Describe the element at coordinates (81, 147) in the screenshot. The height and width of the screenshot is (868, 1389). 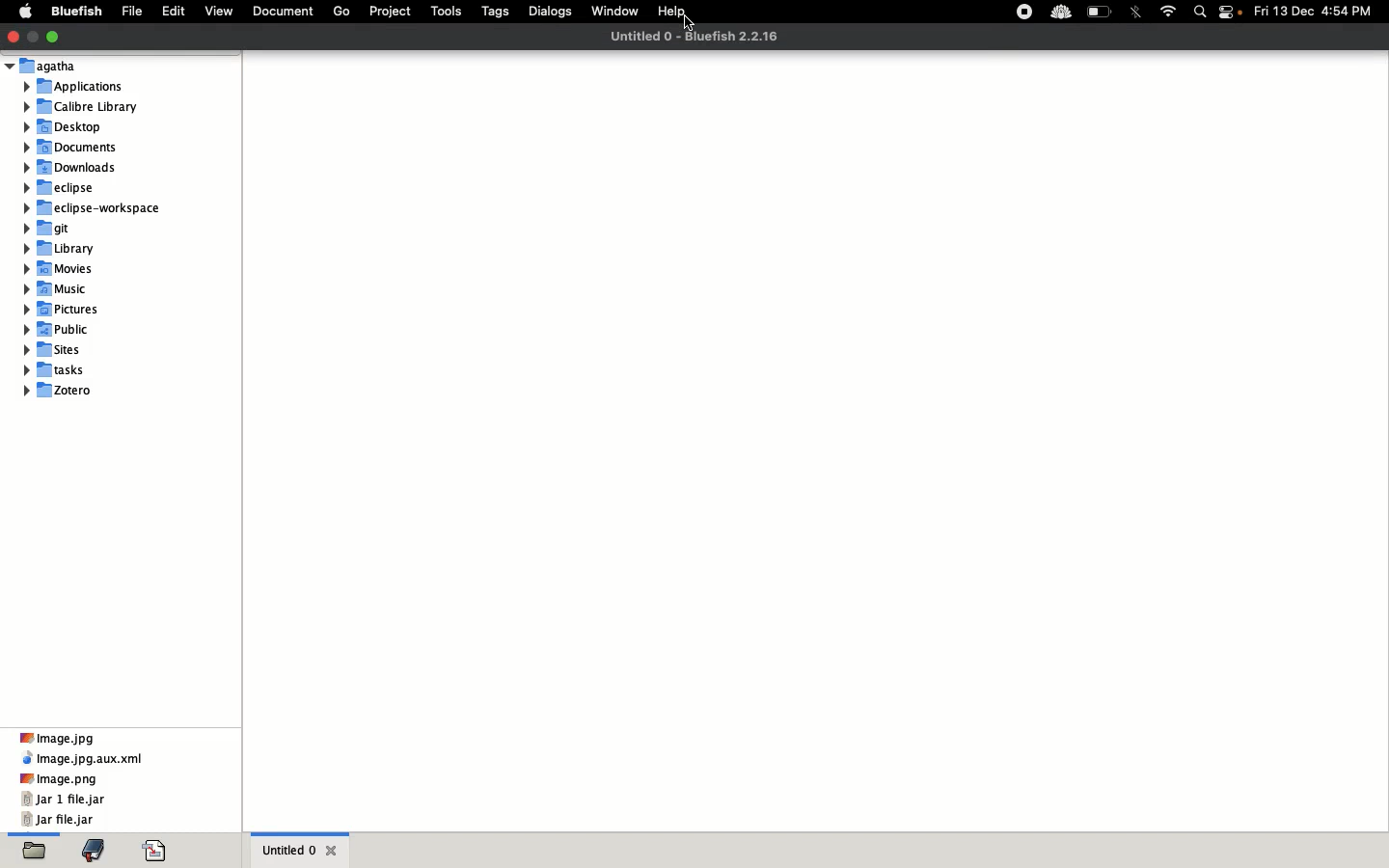
I see `documents` at that location.